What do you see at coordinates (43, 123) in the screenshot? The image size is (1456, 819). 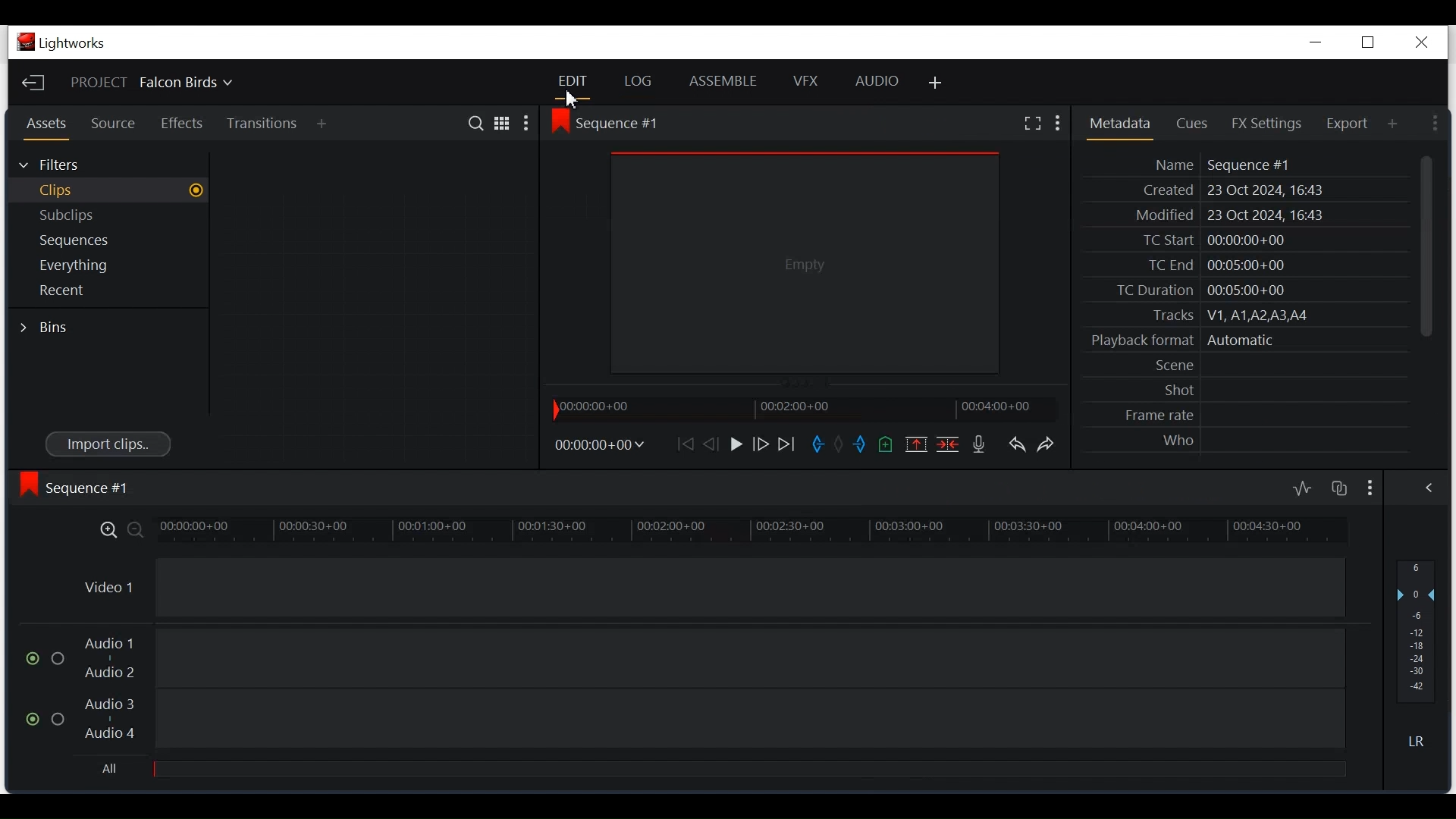 I see `Assets Panel` at bounding box center [43, 123].